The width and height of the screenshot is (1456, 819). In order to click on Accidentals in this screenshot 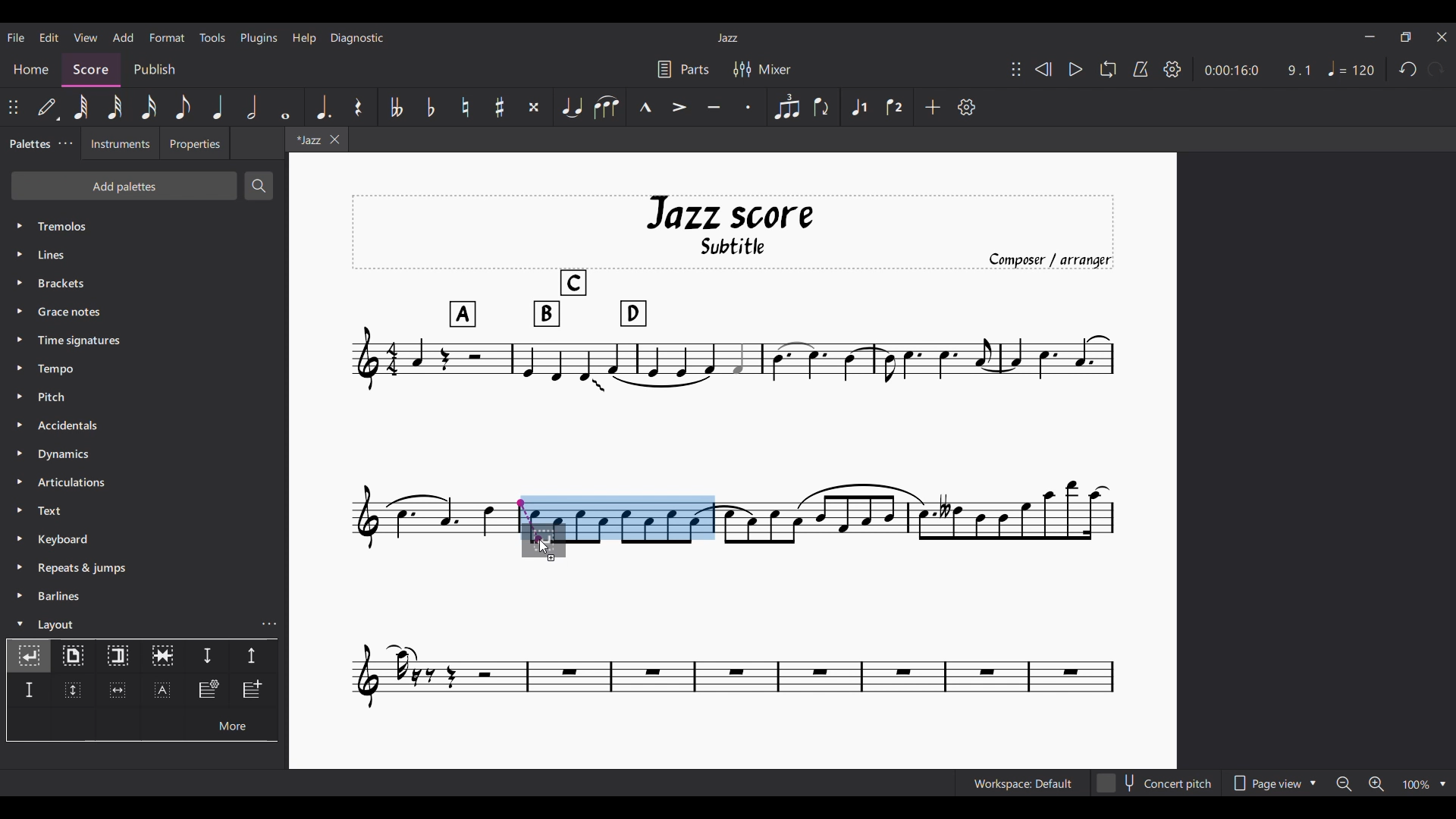, I will do `click(144, 425)`.